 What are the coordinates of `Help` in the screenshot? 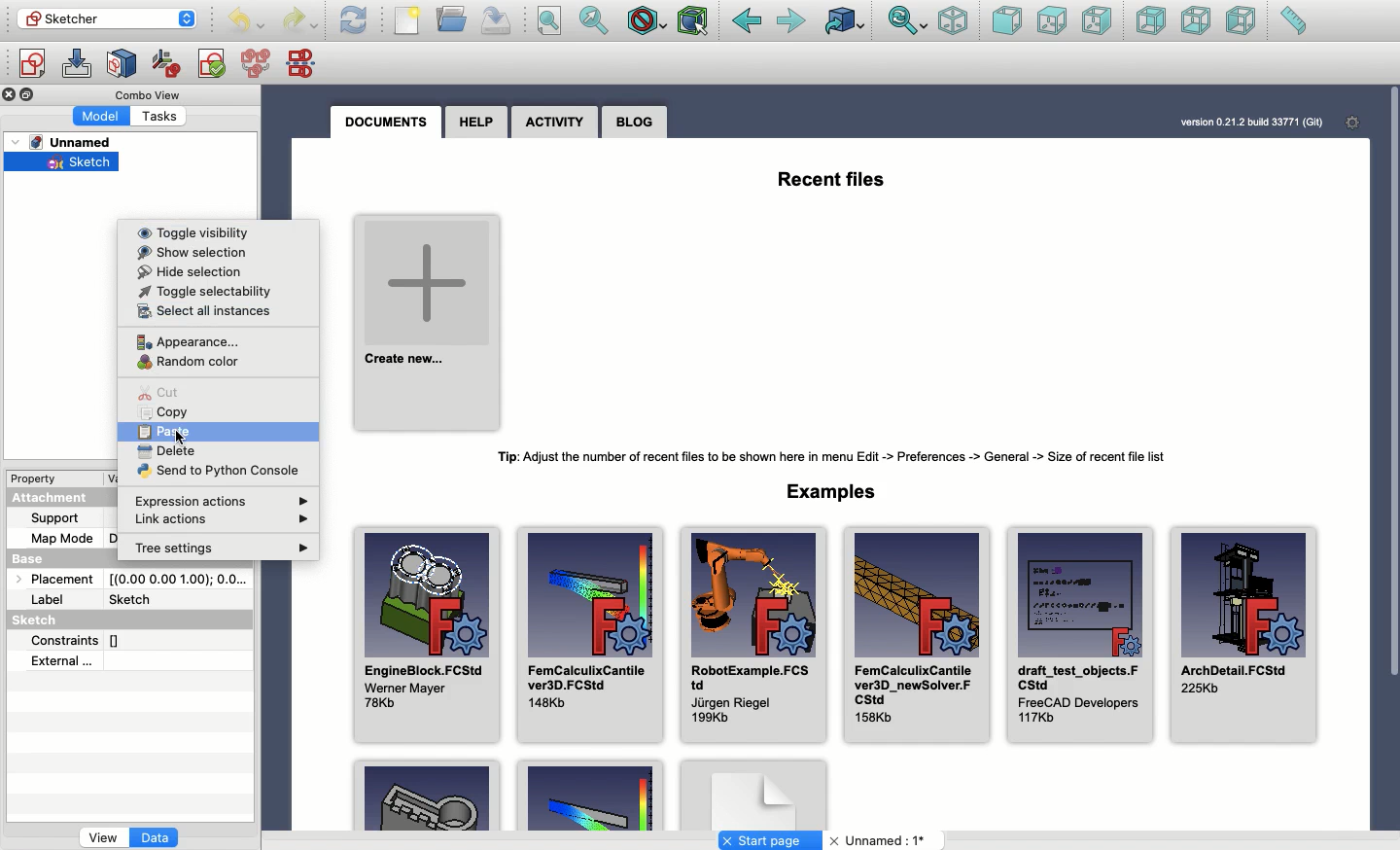 It's located at (476, 122).